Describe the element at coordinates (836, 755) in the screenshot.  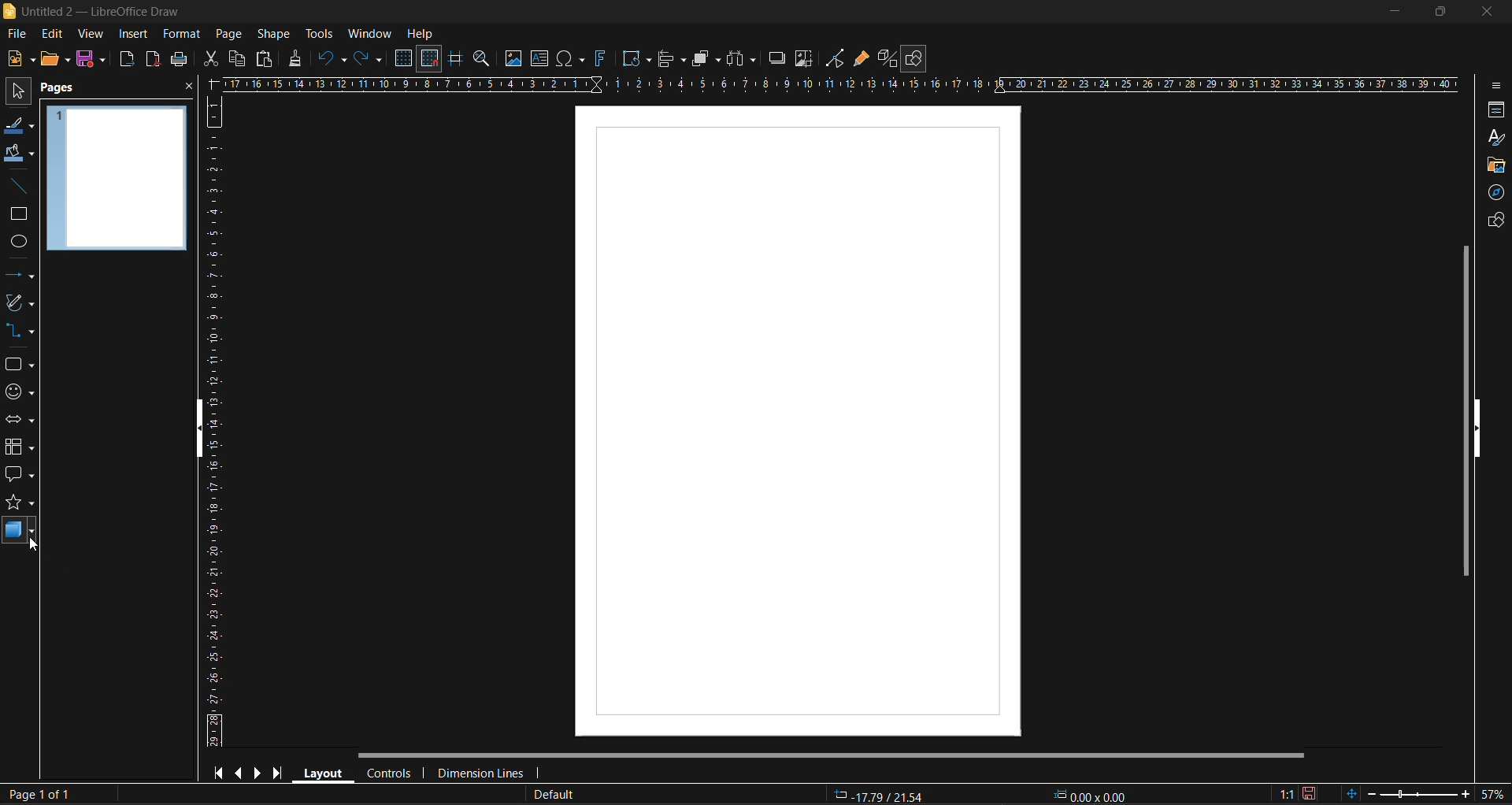
I see `horizontal scroll bar` at that location.